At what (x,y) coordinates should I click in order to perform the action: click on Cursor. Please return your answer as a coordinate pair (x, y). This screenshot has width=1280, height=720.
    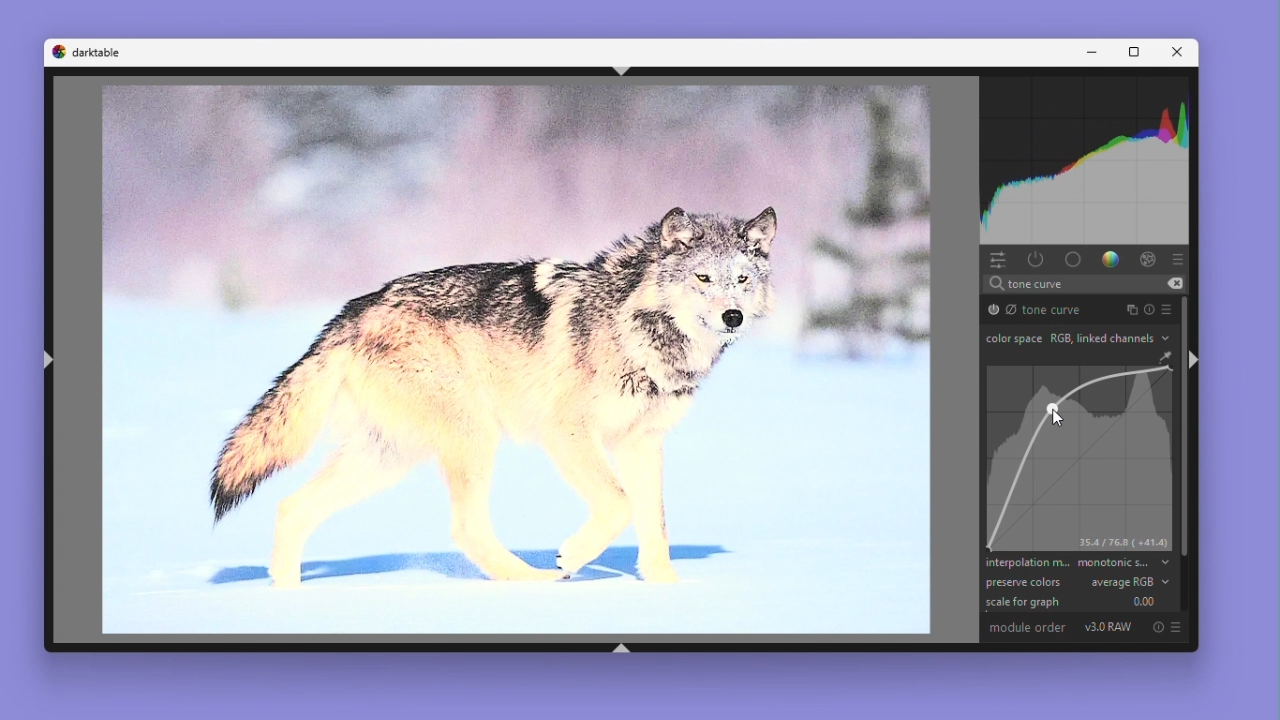
    Looking at the image, I should click on (1059, 418).